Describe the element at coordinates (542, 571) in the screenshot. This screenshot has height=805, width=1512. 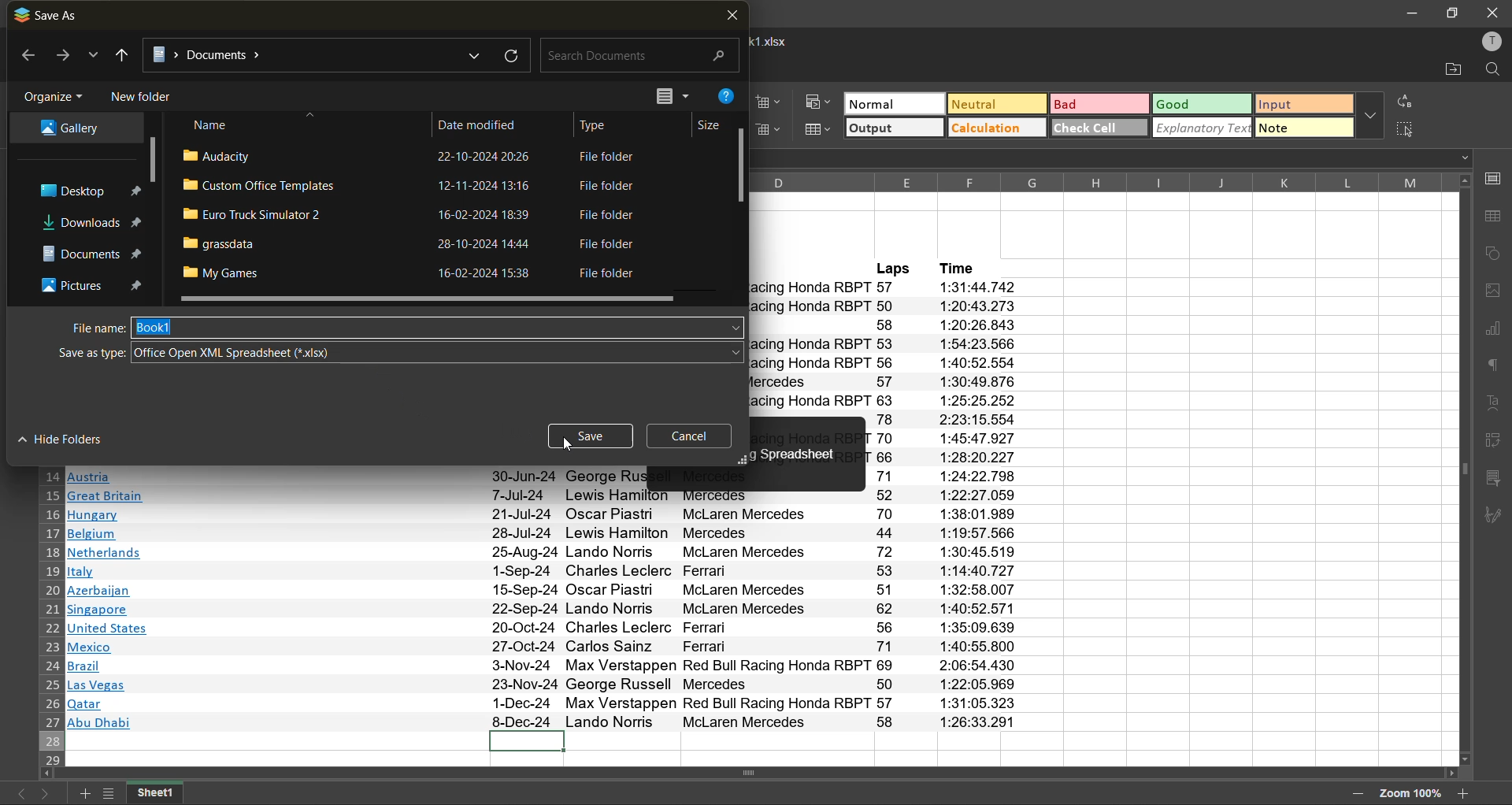
I see `Mitaly 1-Sep-24 Charles Leclerc Ferrari 53 1:14:40.727` at that location.